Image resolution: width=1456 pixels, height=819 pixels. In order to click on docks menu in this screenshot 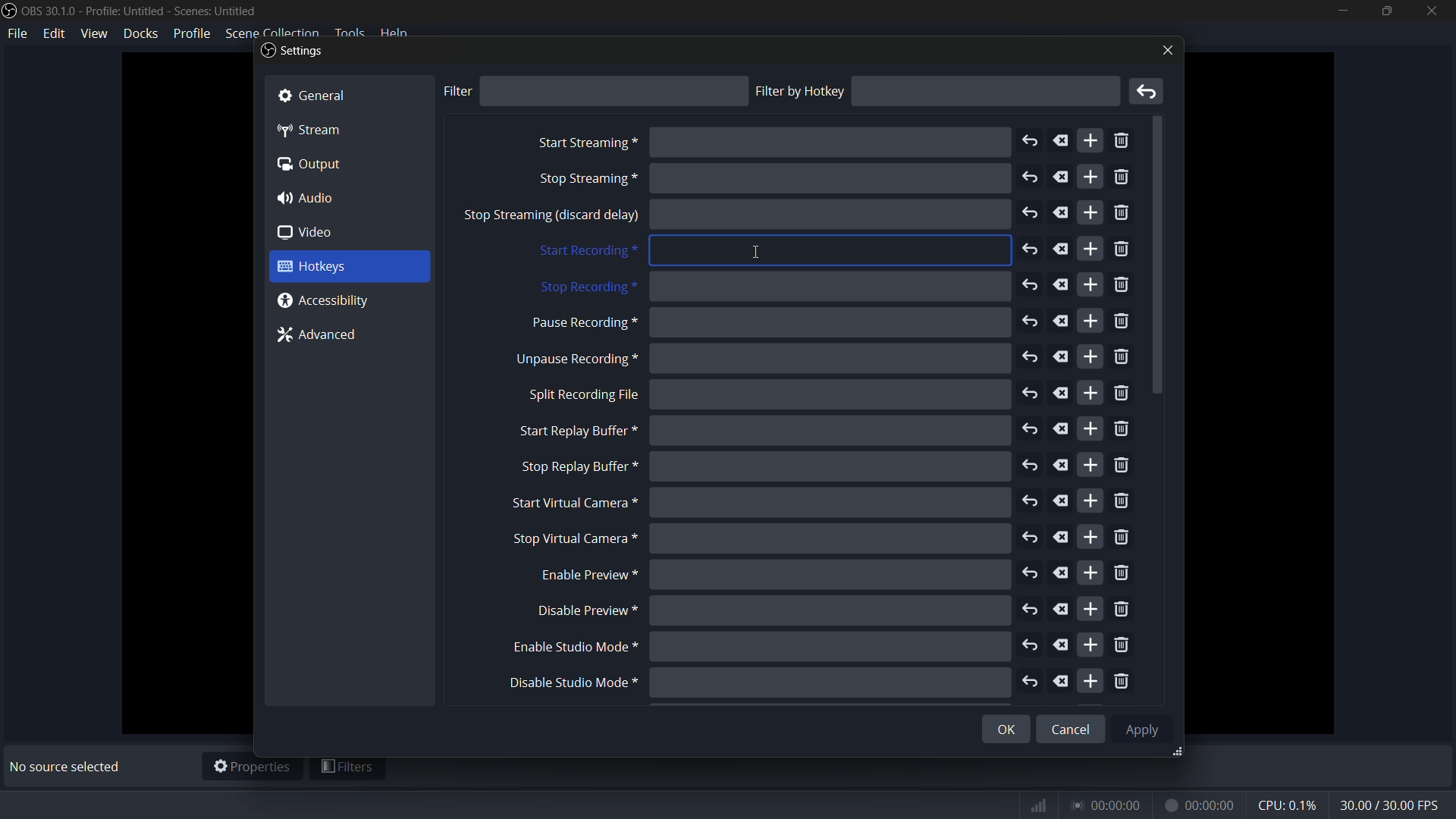, I will do `click(142, 33)`.